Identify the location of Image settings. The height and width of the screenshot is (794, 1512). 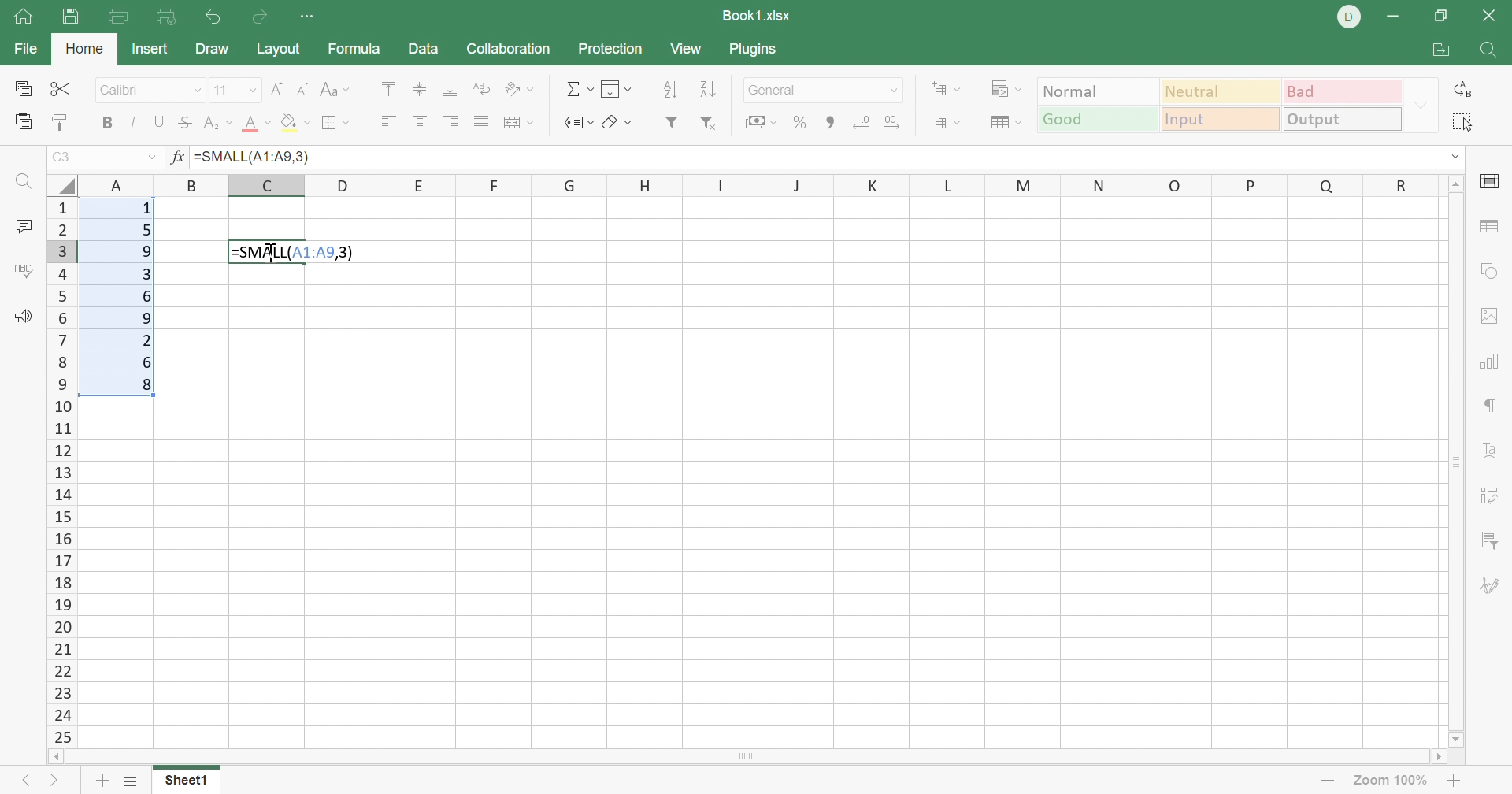
(1487, 318).